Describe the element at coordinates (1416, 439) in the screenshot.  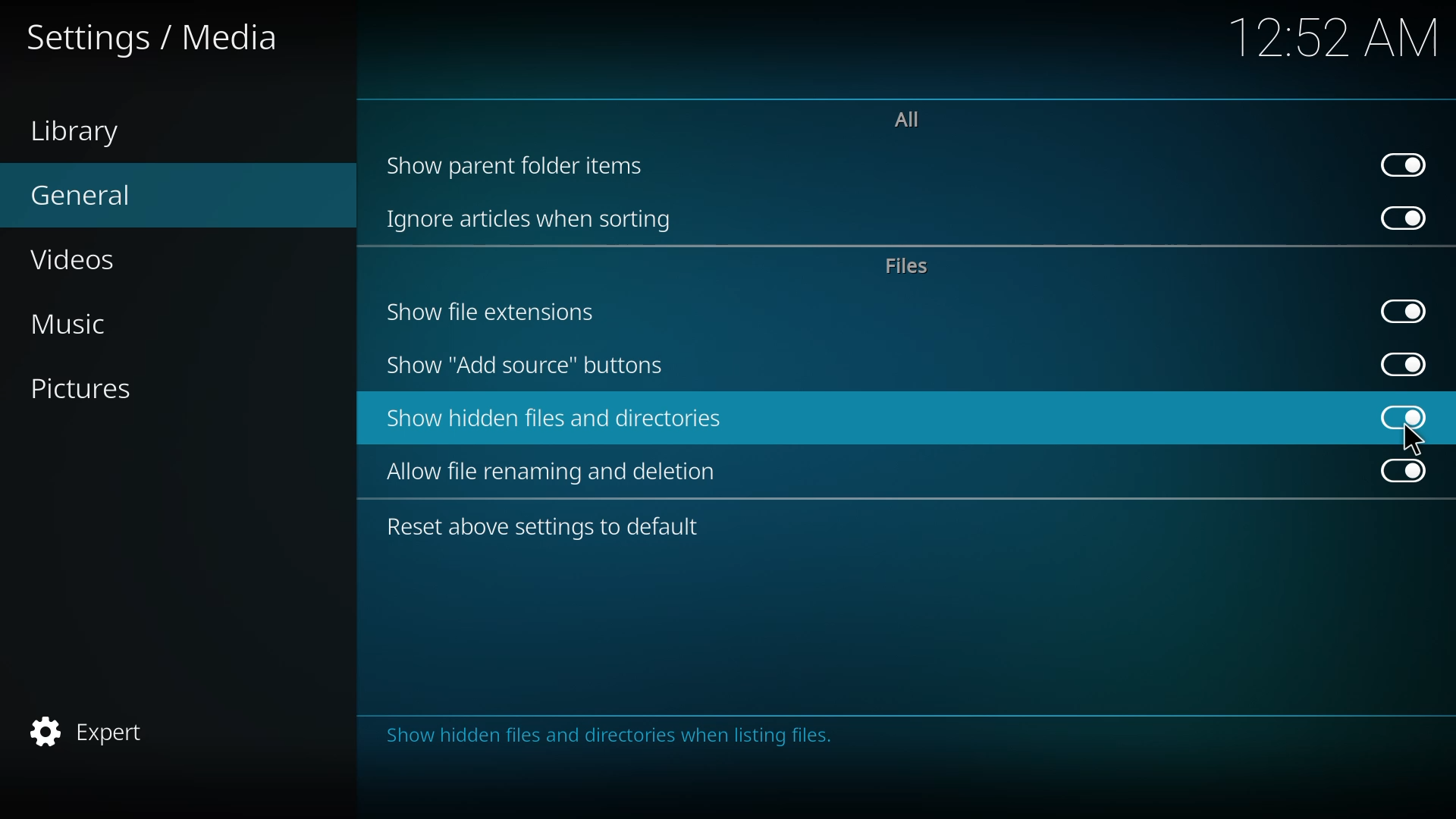
I see `cursor` at that location.